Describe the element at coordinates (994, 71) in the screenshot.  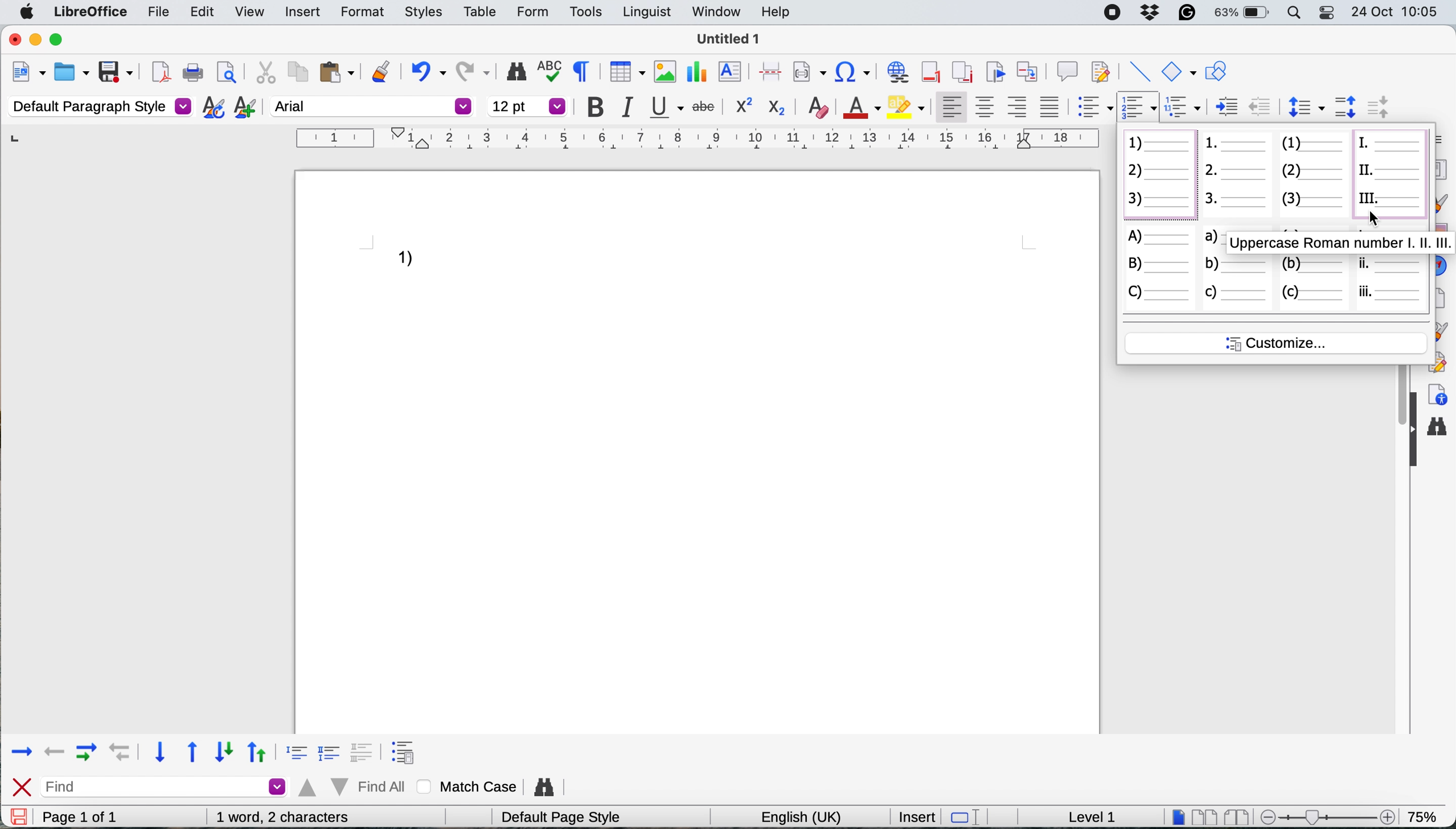
I see `insert bookmark` at that location.